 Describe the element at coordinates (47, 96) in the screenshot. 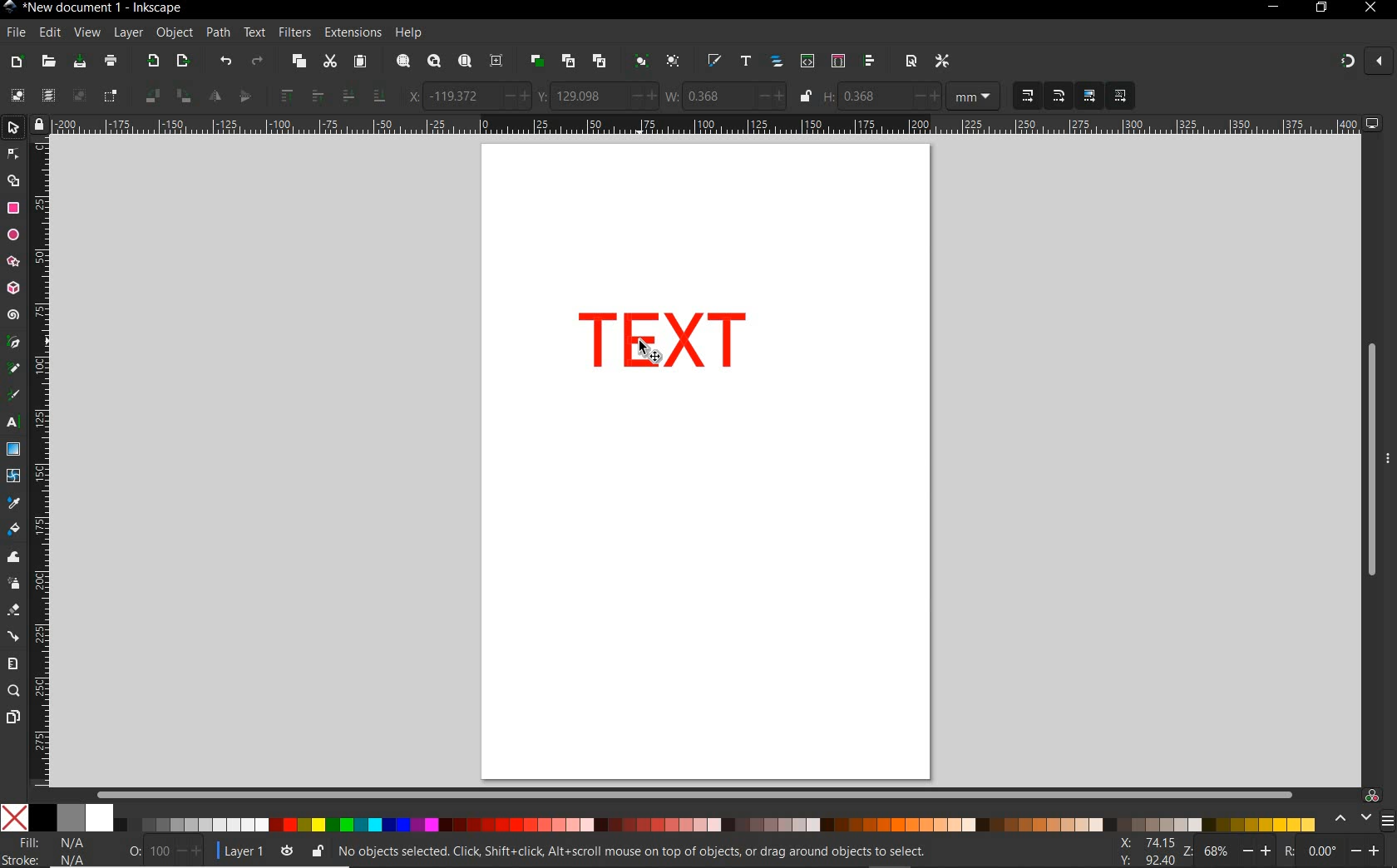

I see `SELECT ALL IN ALL LAYERS` at that location.